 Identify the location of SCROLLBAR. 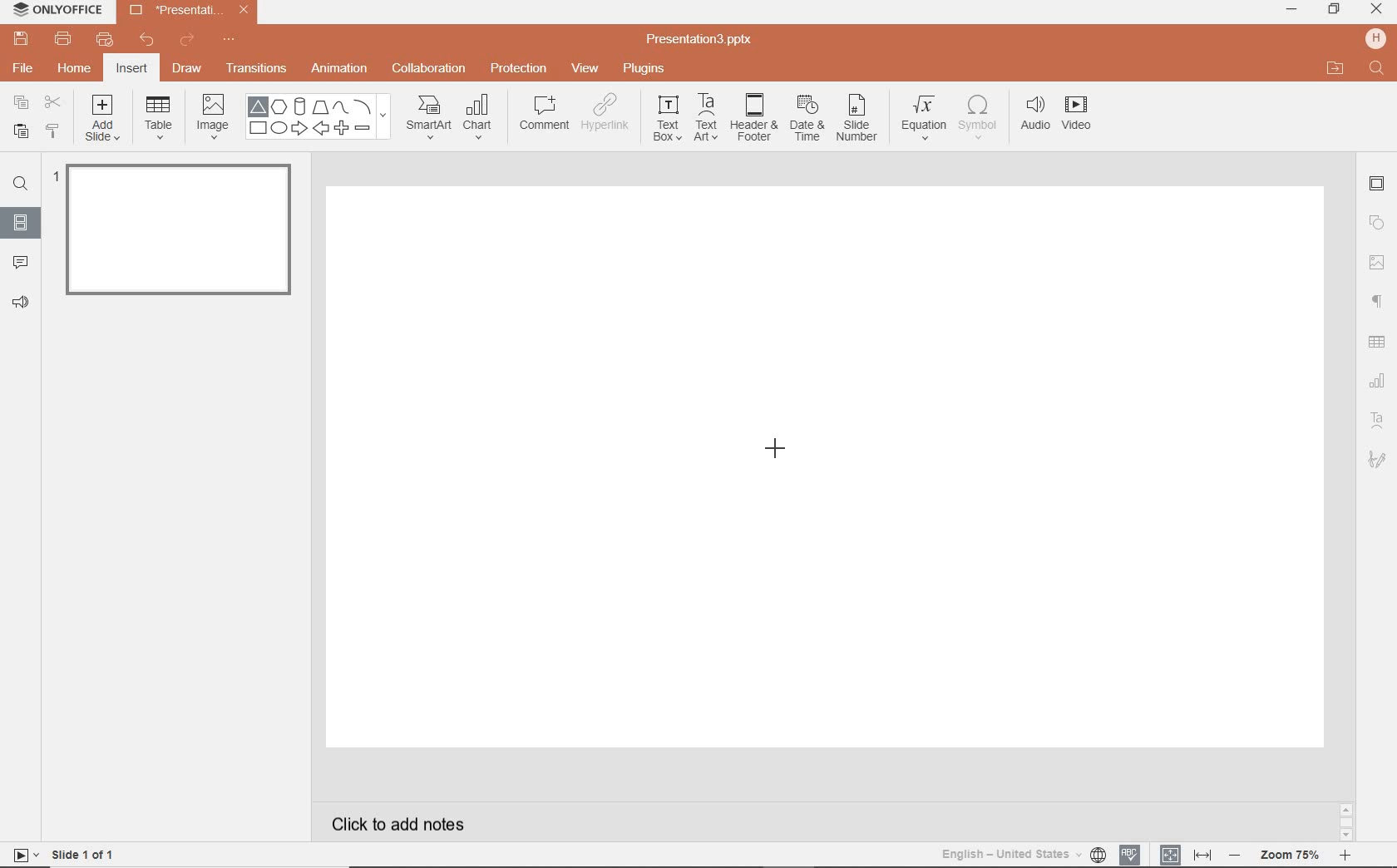
(1346, 825).